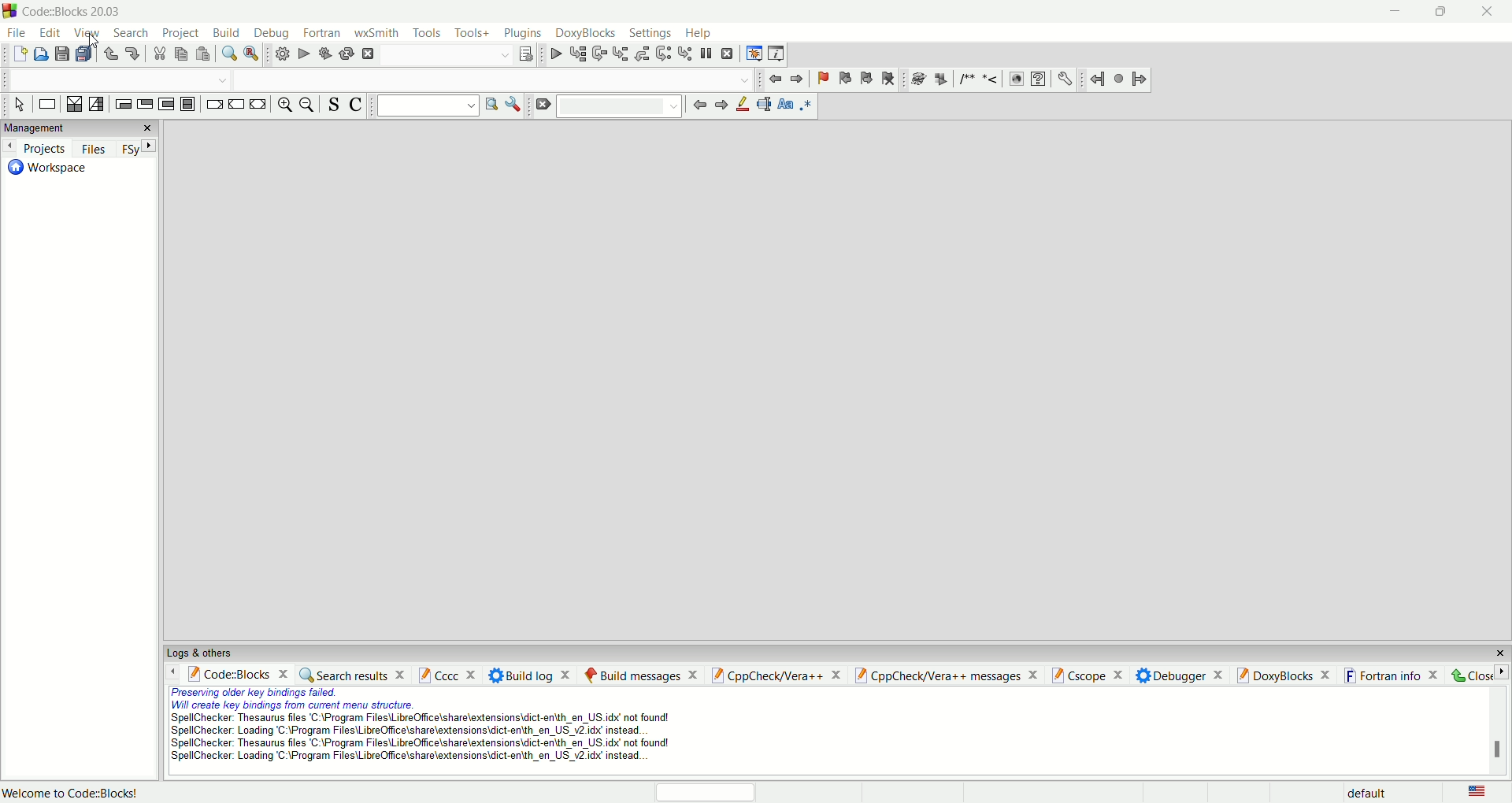  I want to click on Run doxywizard, so click(917, 77).